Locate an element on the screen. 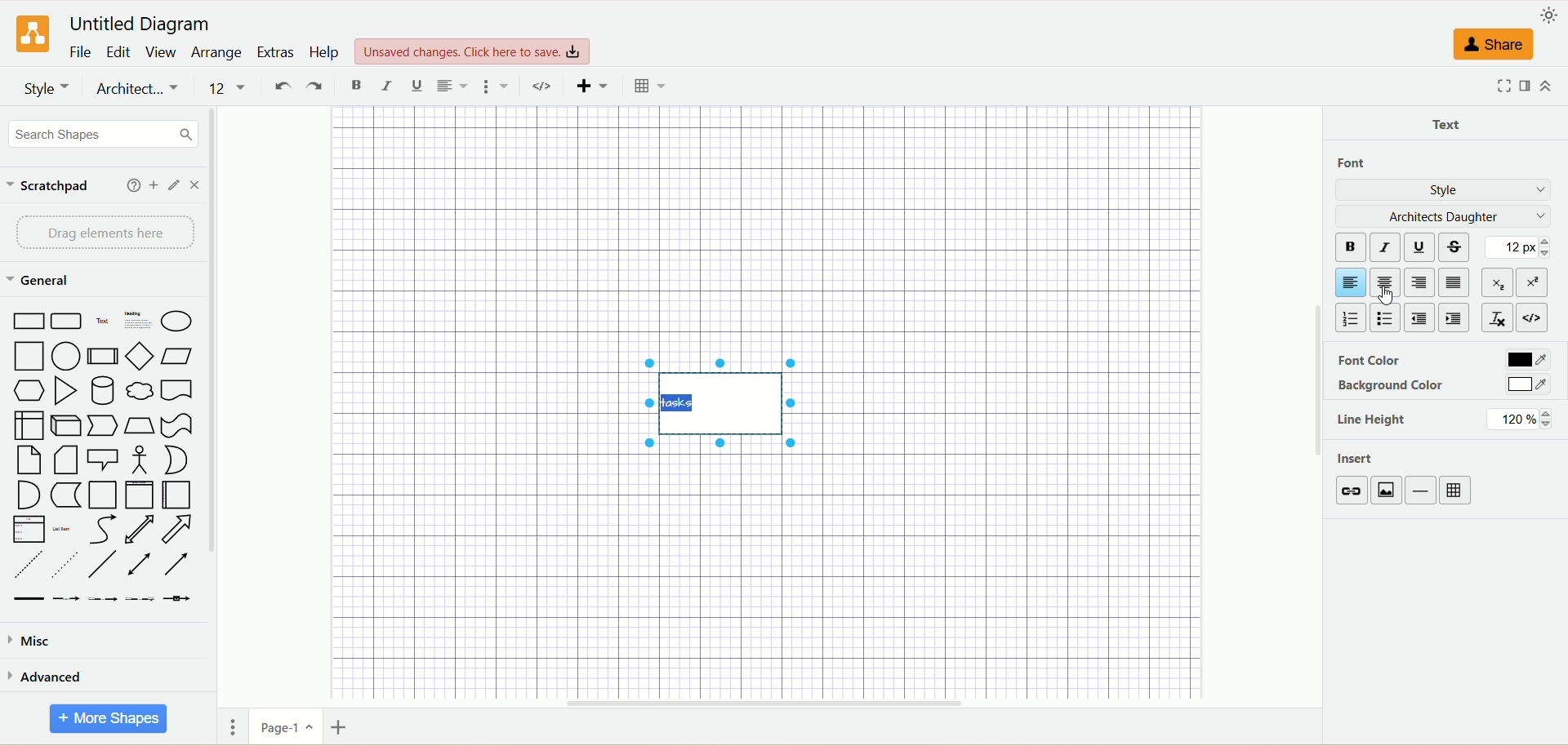 The width and height of the screenshot is (1568, 746). insert is located at coordinates (1359, 460).